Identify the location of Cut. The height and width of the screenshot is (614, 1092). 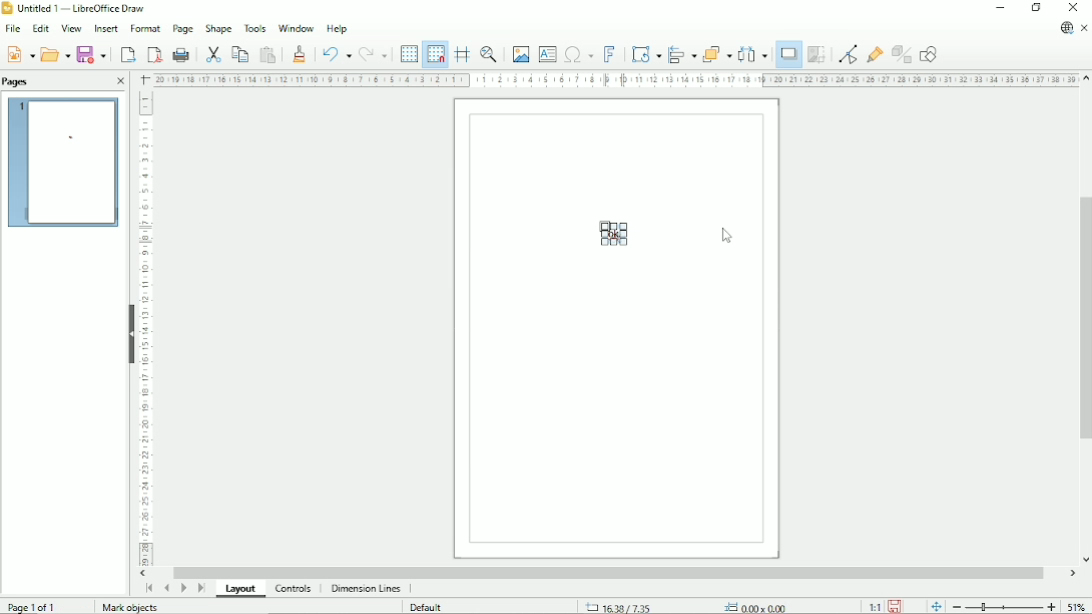
(214, 54).